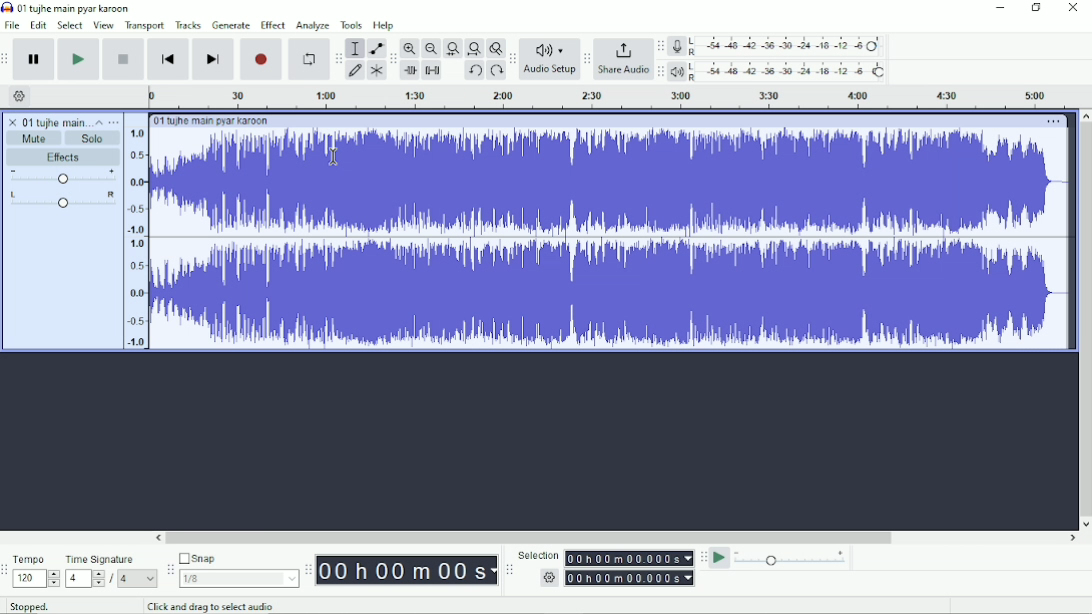  What do you see at coordinates (169, 569) in the screenshot?
I see `Audacity snapping toolbar` at bounding box center [169, 569].